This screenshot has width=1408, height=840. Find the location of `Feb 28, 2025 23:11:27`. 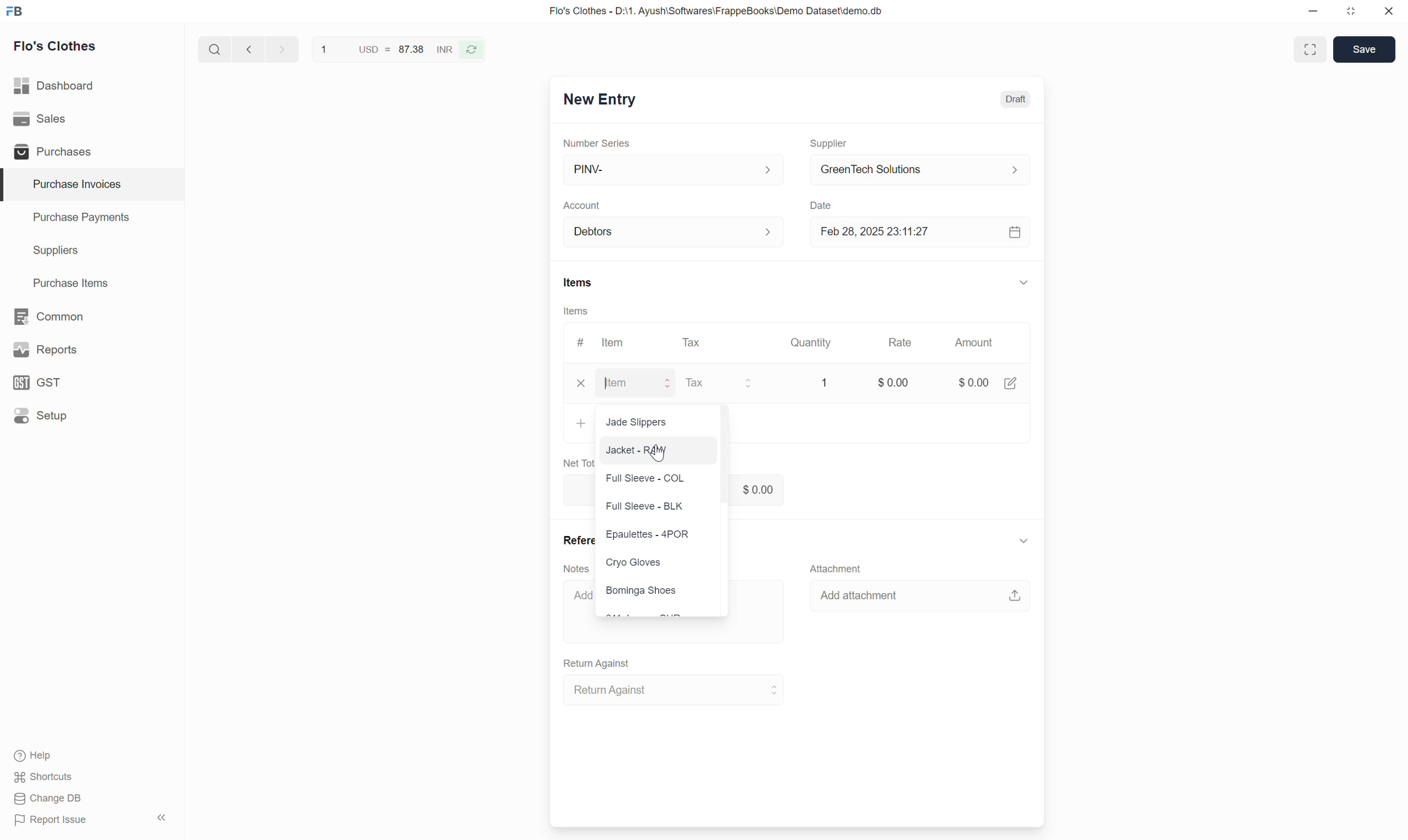

Feb 28, 2025 23:11:27 is located at coordinates (904, 232).